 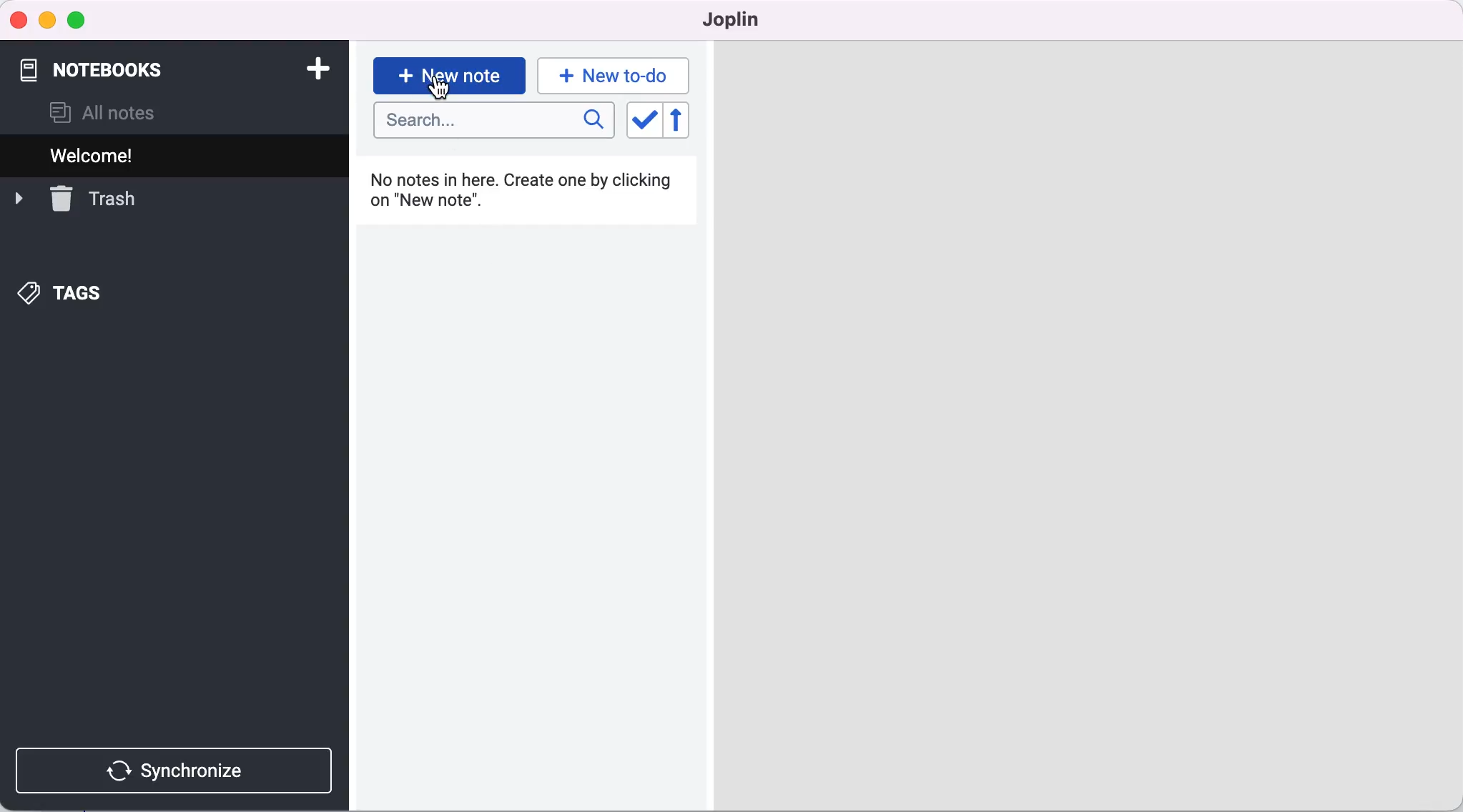 What do you see at coordinates (315, 67) in the screenshot?
I see `add notebook` at bounding box center [315, 67].